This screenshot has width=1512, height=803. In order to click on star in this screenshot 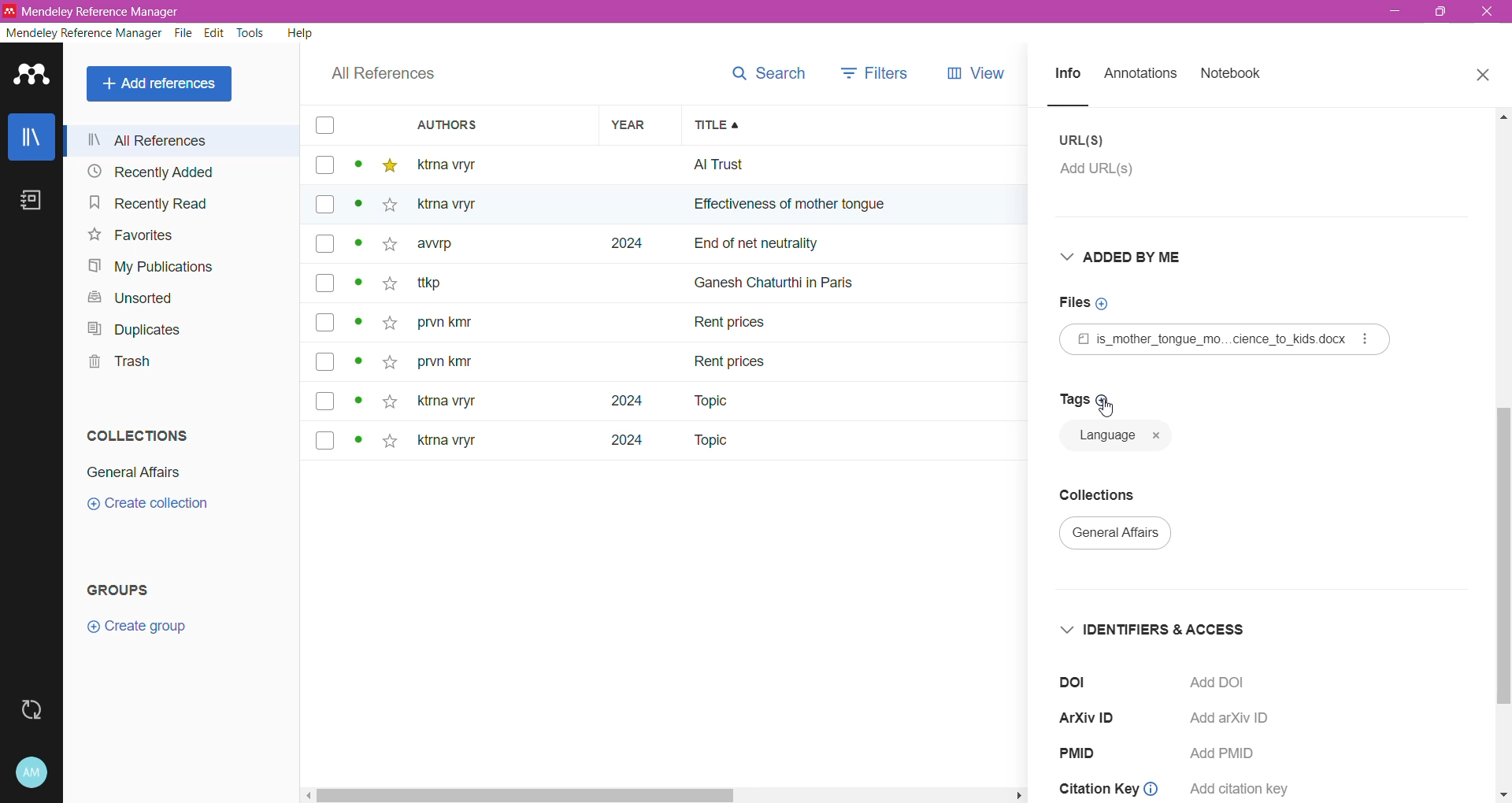, I will do `click(389, 443)`.